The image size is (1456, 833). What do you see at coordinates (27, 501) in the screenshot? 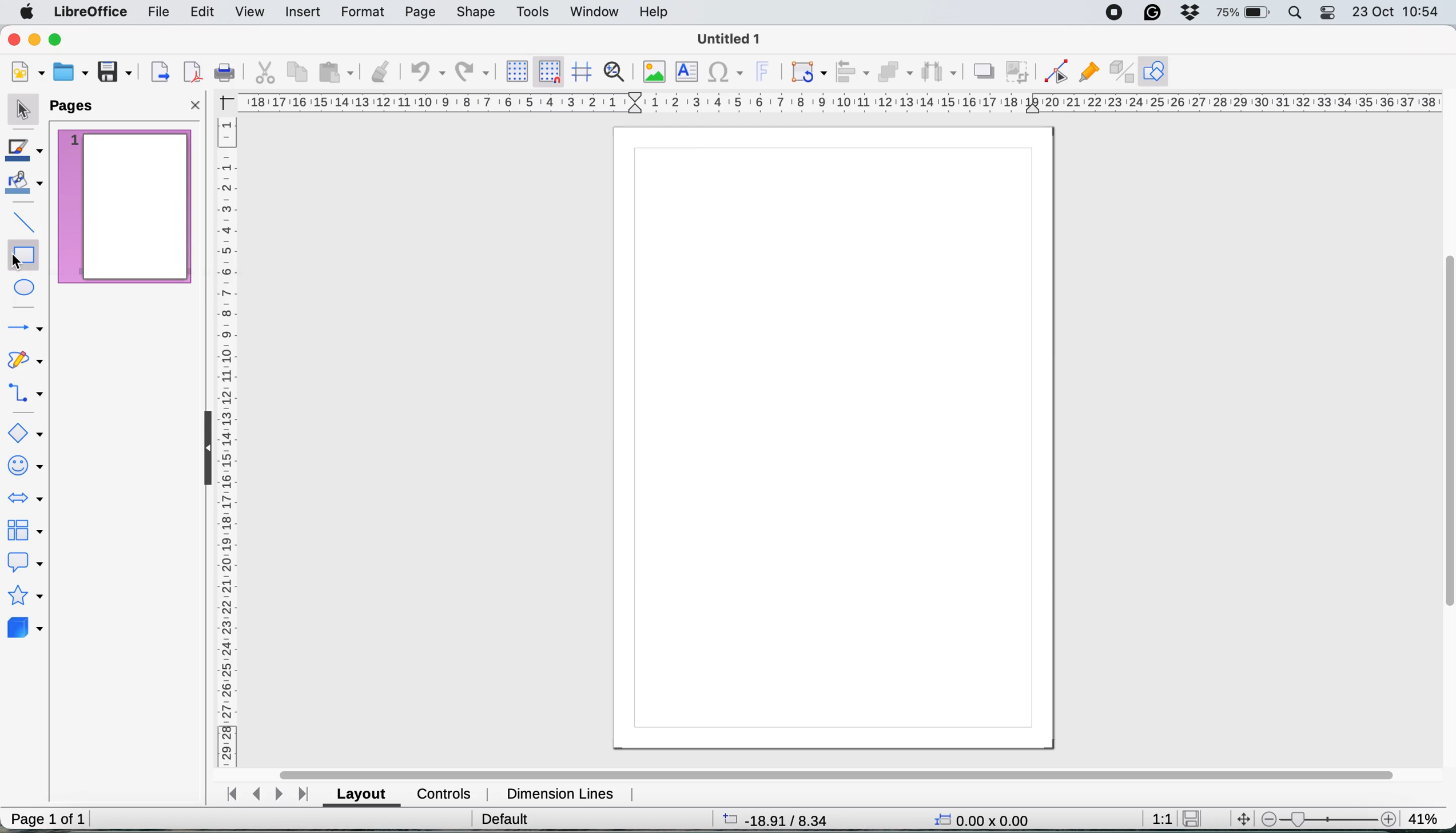
I see `block arrows` at bounding box center [27, 501].